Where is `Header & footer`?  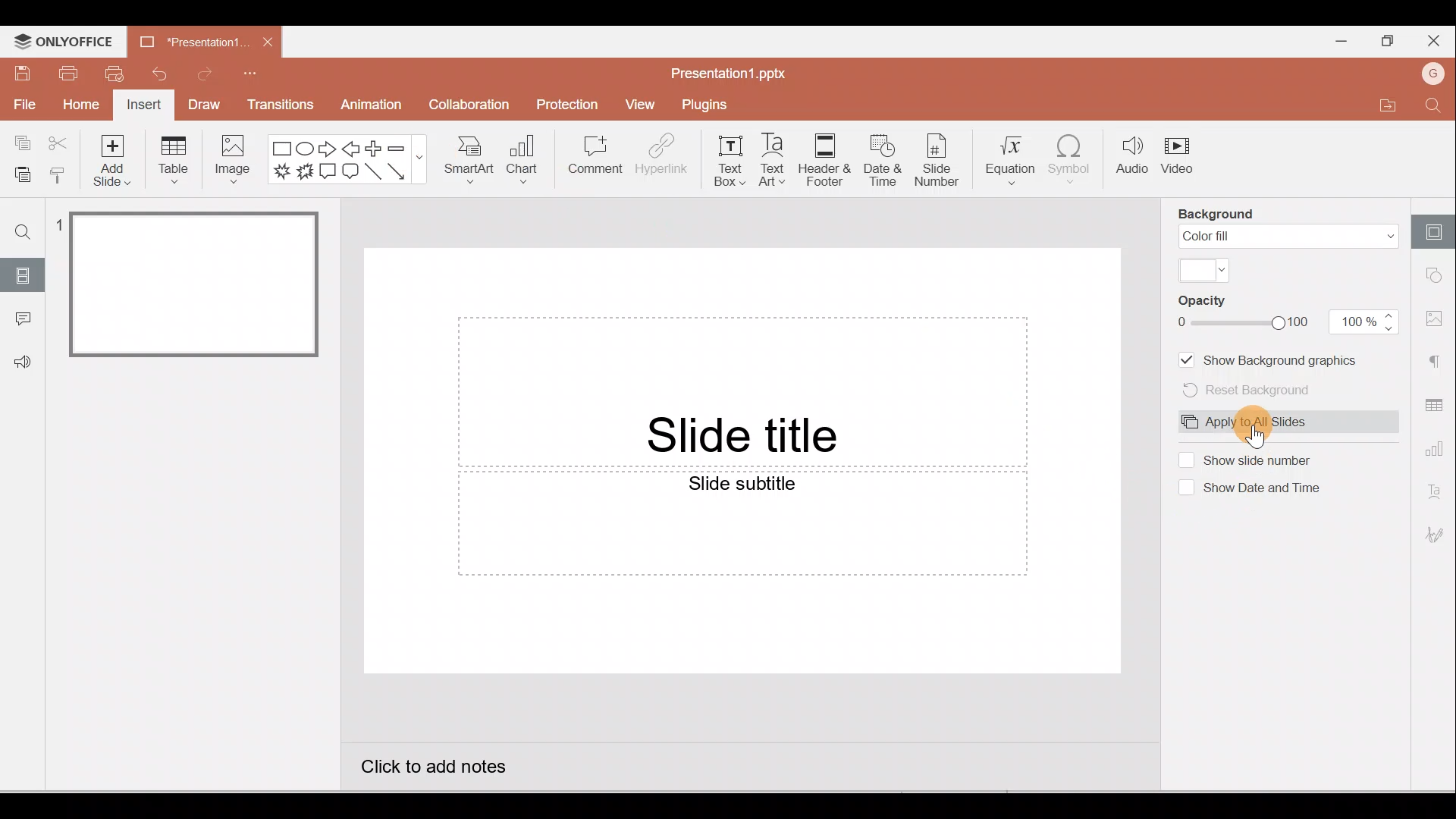 Header & footer is located at coordinates (824, 161).